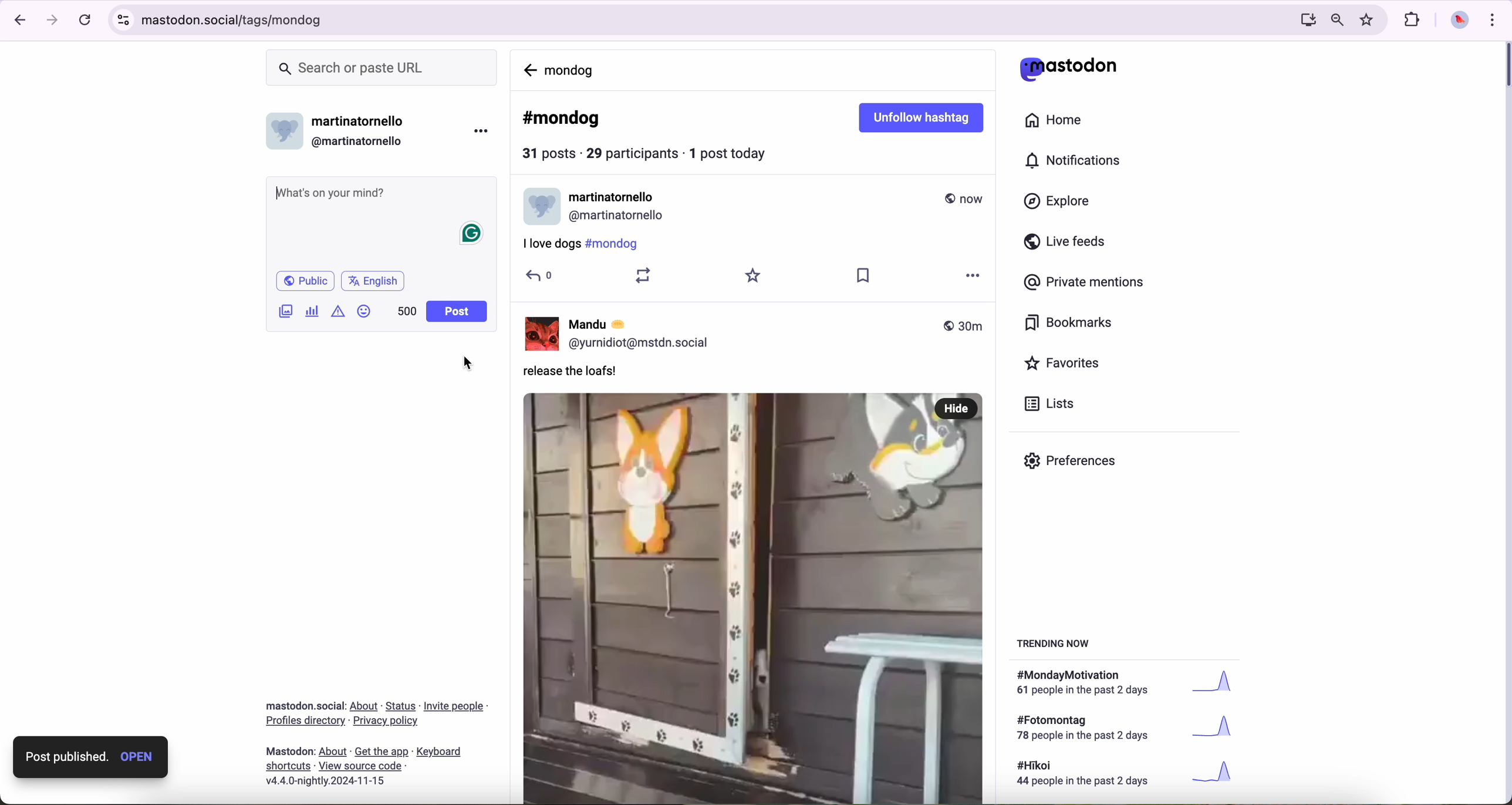  Describe the element at coordinates (1496, 20) in the screenshot. I see `customize and control Google Chrome` at that location.